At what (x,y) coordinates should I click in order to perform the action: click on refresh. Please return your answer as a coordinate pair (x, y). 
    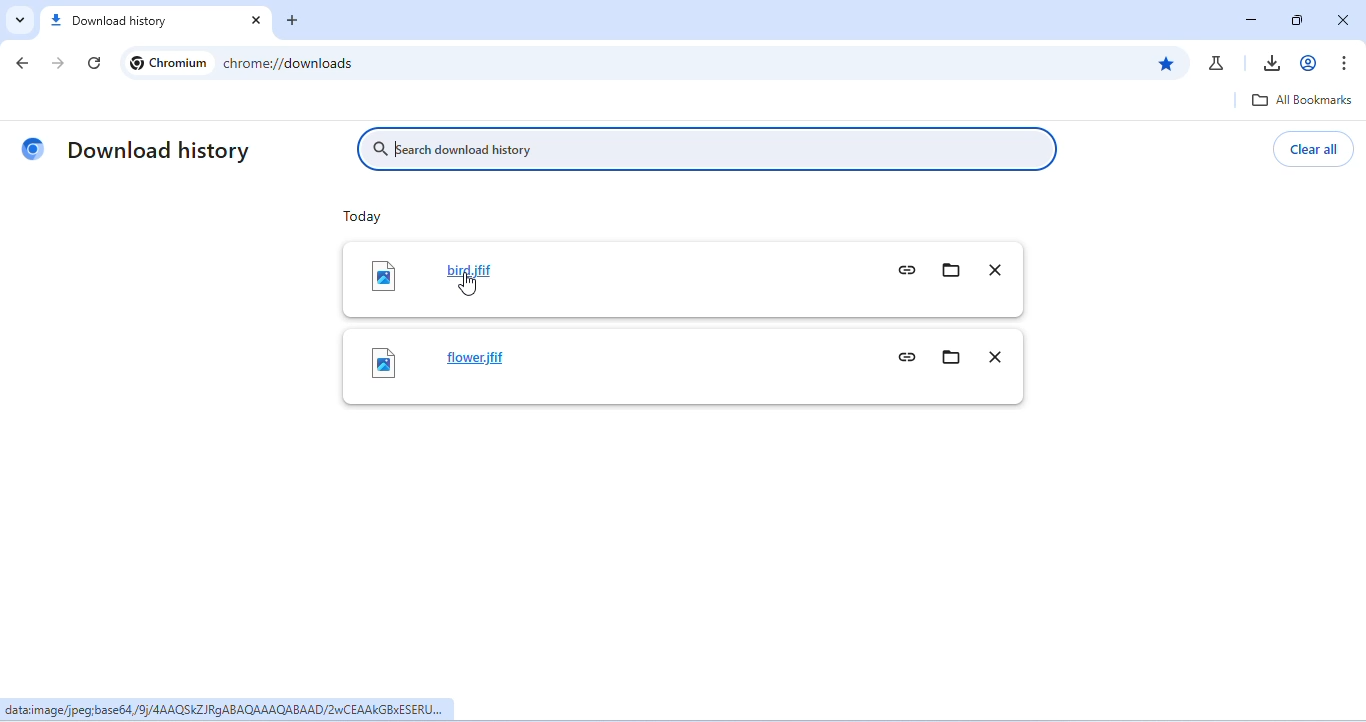
    Looking at the image, I should click on (94, 64).